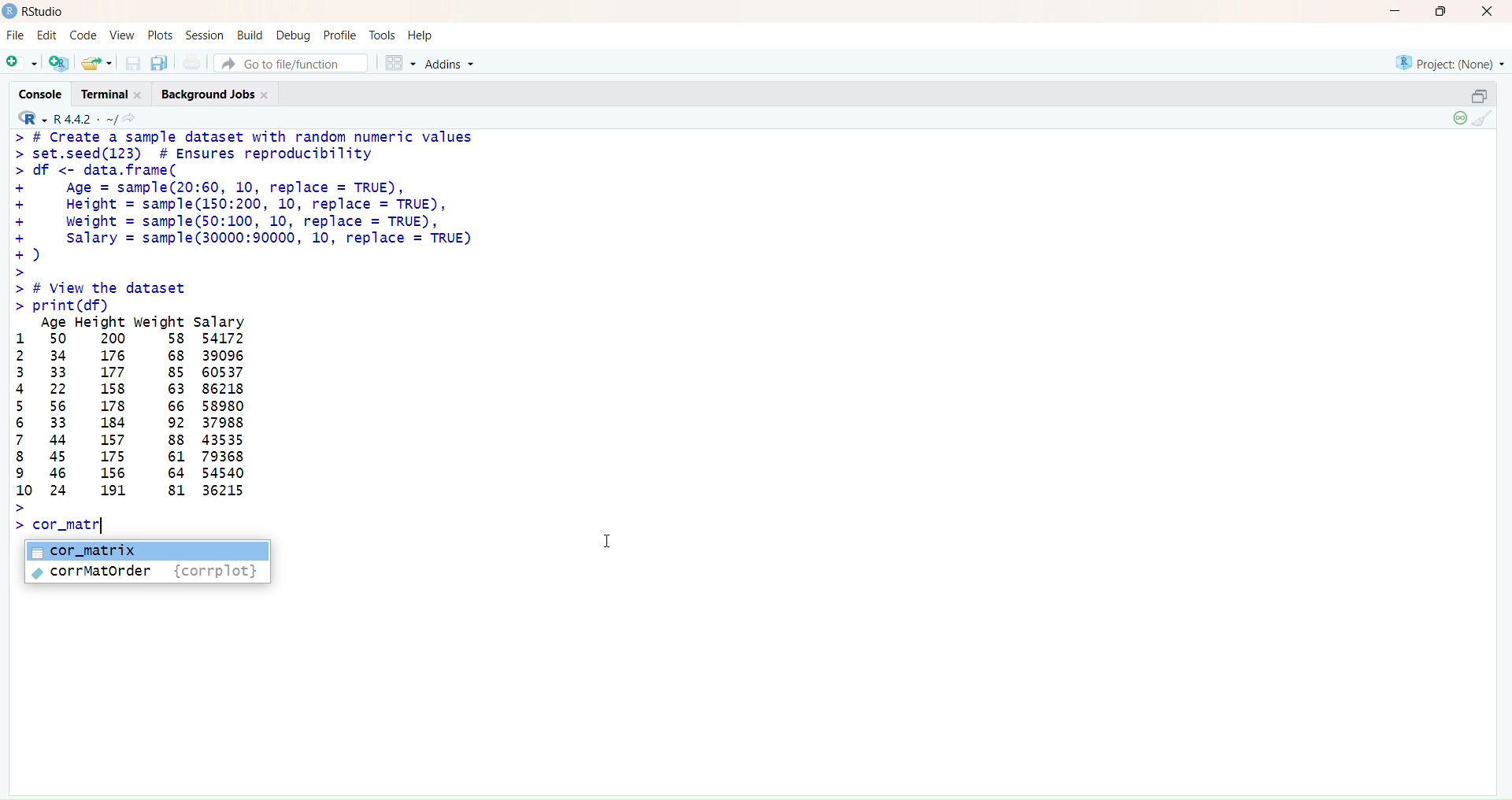 The height and width of the screenshot is (800, 1512). What do you see at coordinates (1458, 119) in the screenshot?
I see `Session suspend timeout passed: A child process is running` at bounding box center [1458, 119].